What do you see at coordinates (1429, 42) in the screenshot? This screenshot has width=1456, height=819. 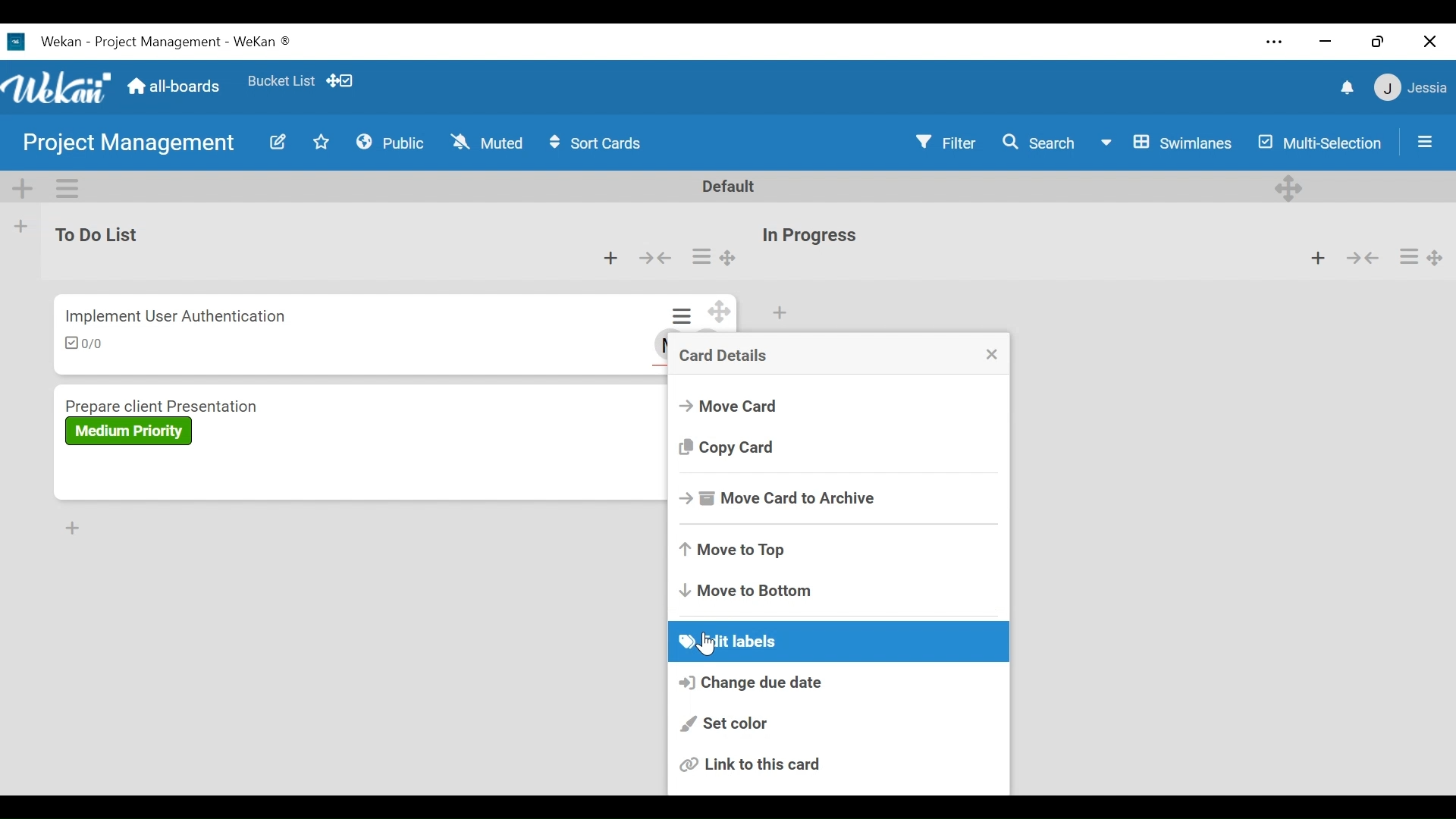 I see `close` at bounding box center [1429, 42].